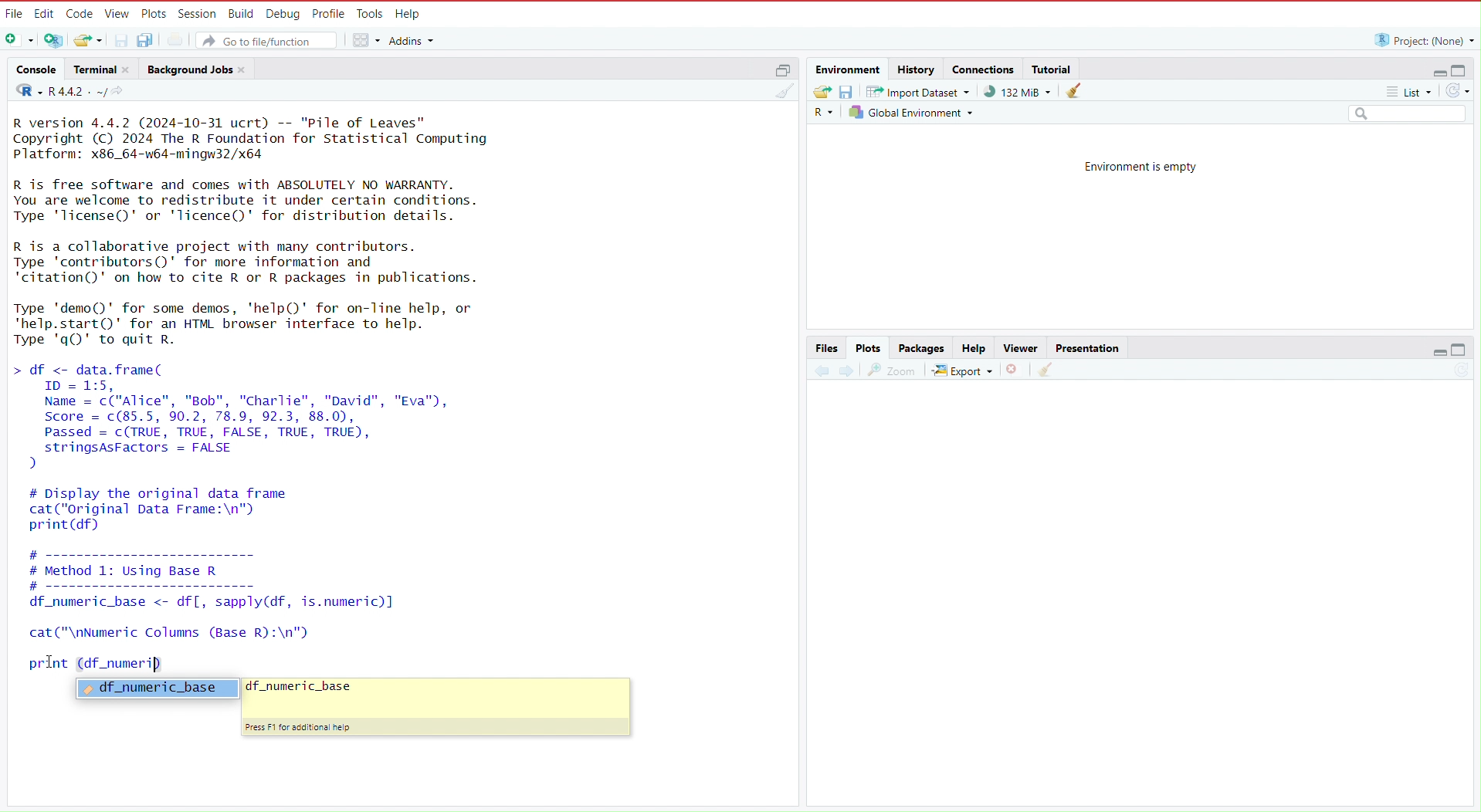 The height and width of the screenshot is (812, 1481). I want to click on Import dataset, so click(920, 92).